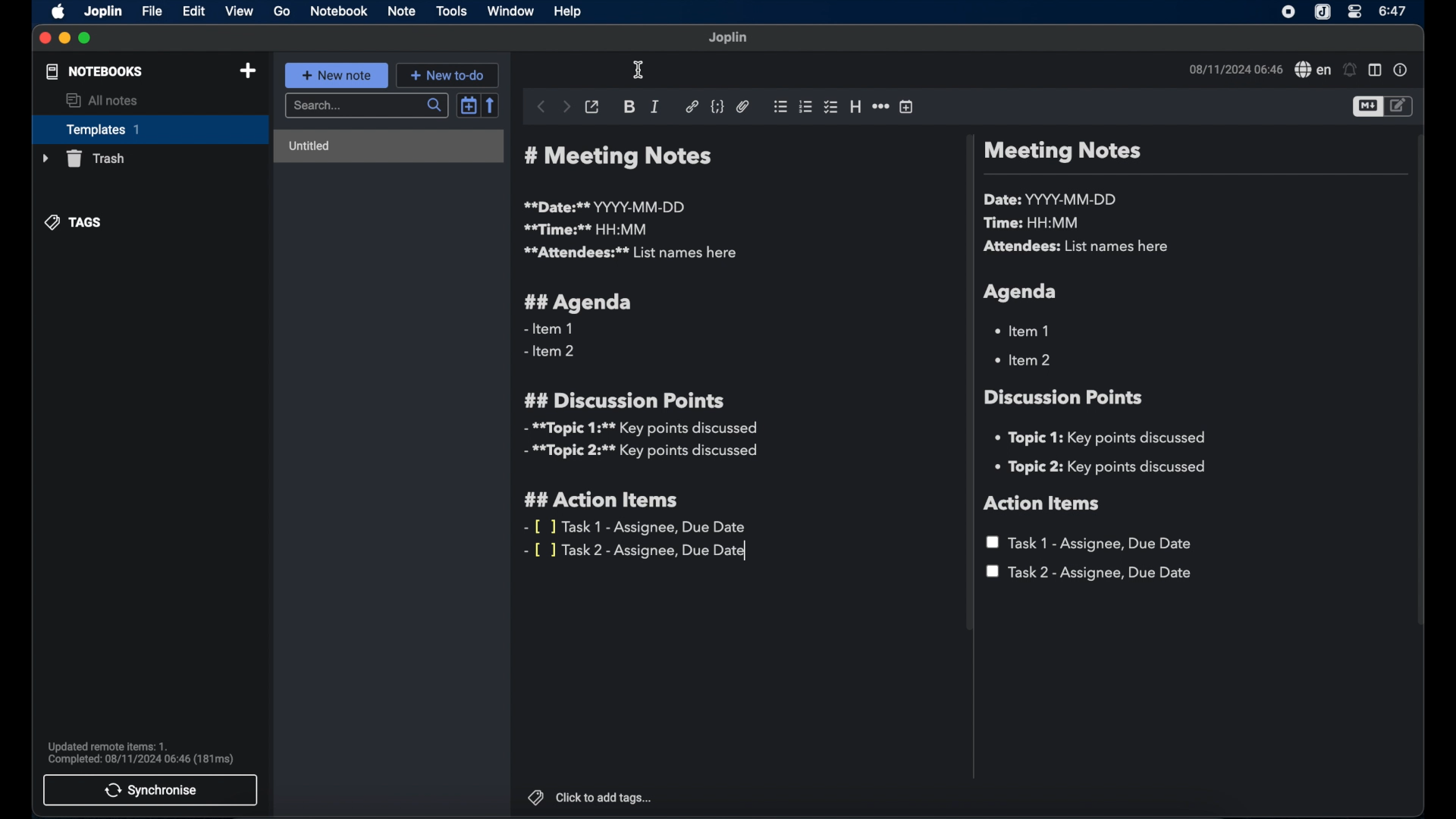 This screenshot has height=819, width=1456. What do you see at coordinates (152, 11) in the screenshot?
I see `file` at bounding box center [152, 11].